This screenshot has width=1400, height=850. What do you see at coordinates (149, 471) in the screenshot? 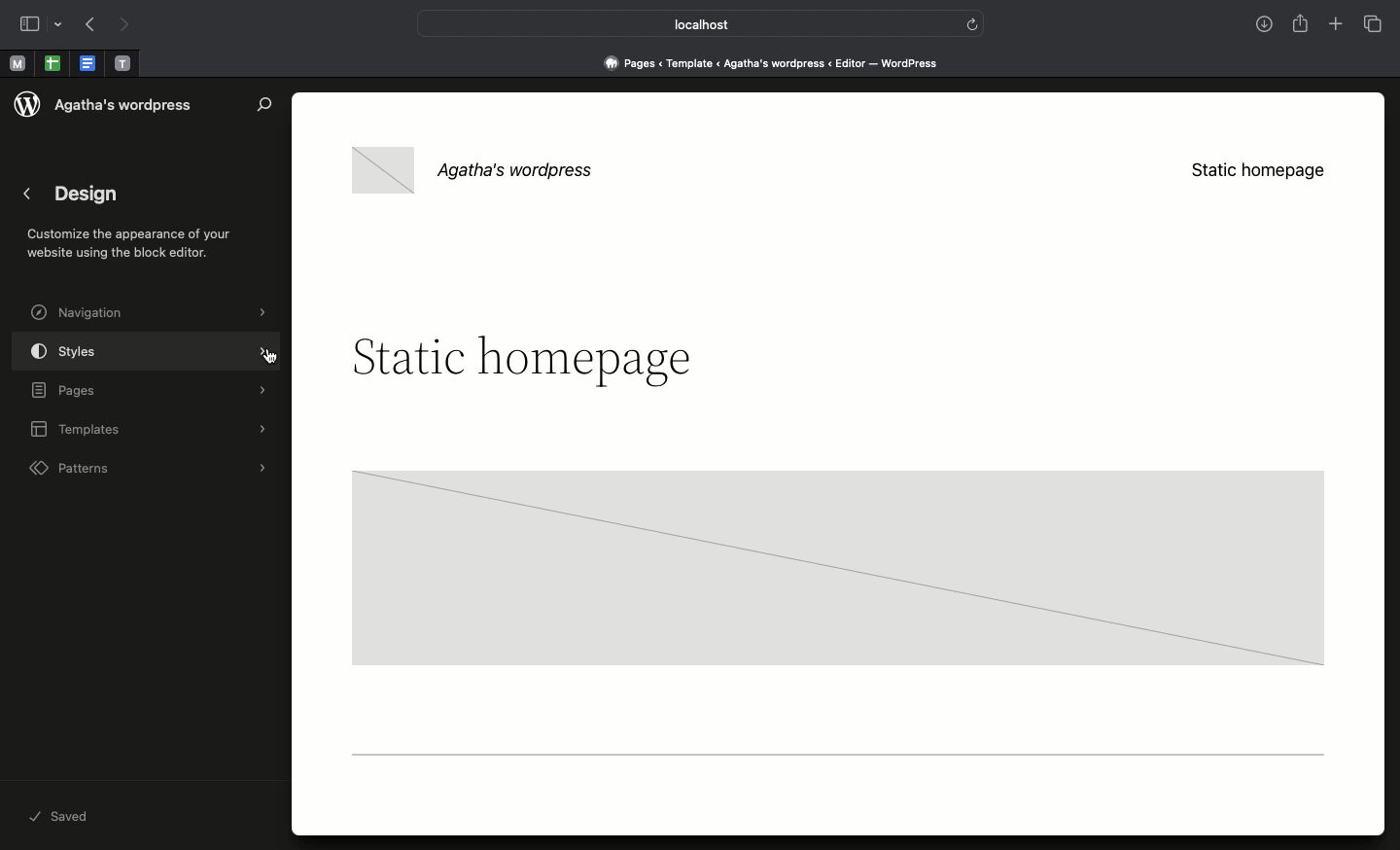
I see `Patterns` at bounding box center [149, 471].